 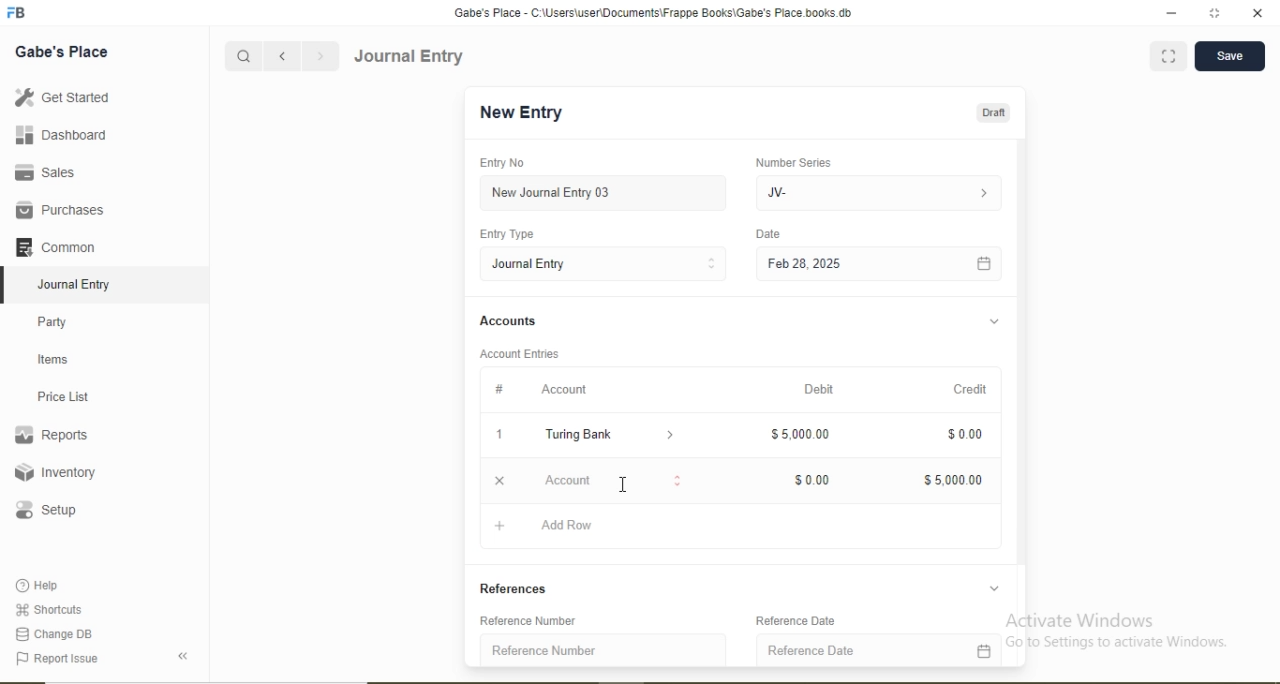 What do you see at coordinates (1259, 13) in the screenshot?
I see `close` at bounding box center [1259, 13].